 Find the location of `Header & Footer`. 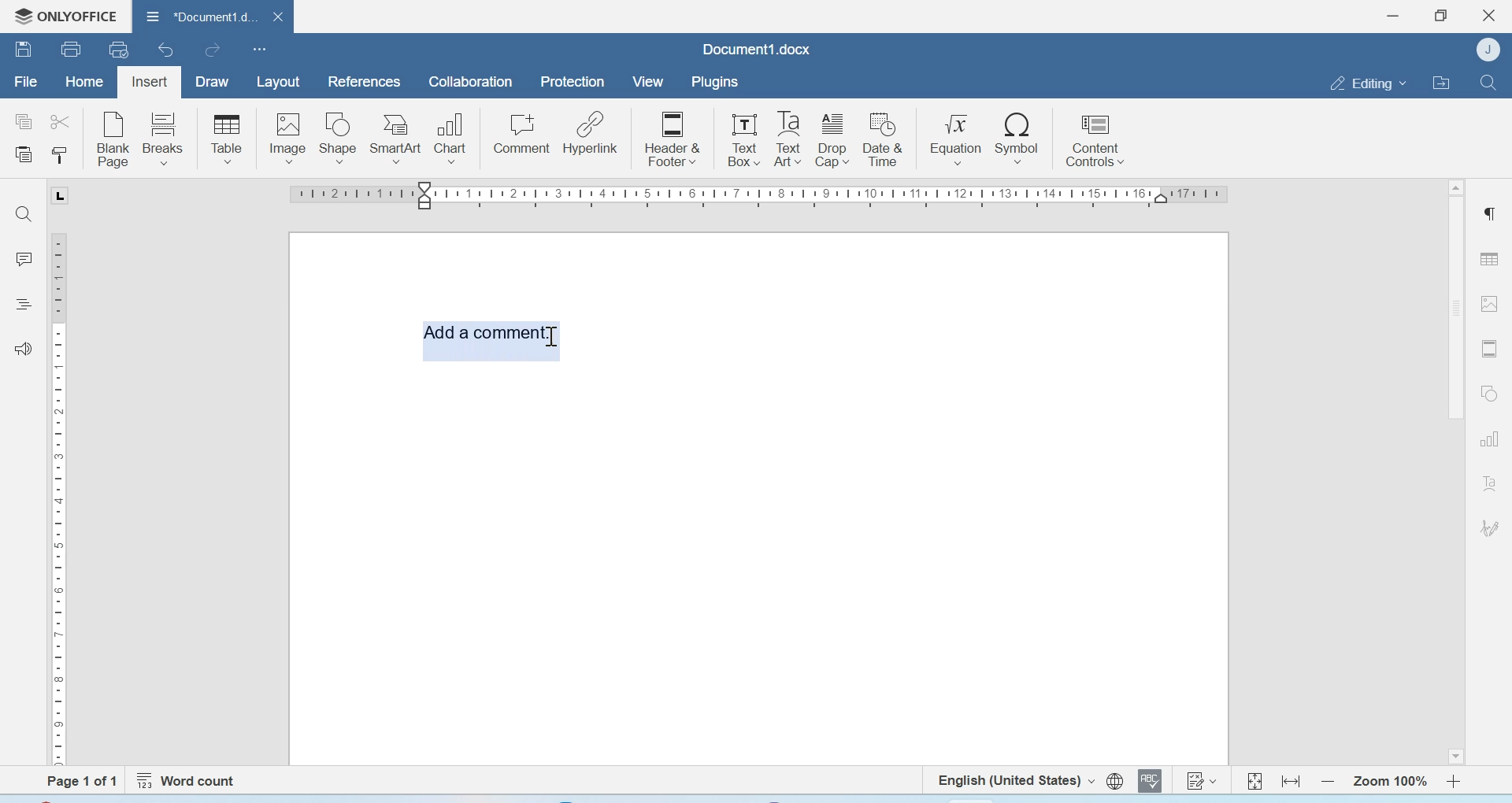

Header & Footer is located at coordinates (673, 137).